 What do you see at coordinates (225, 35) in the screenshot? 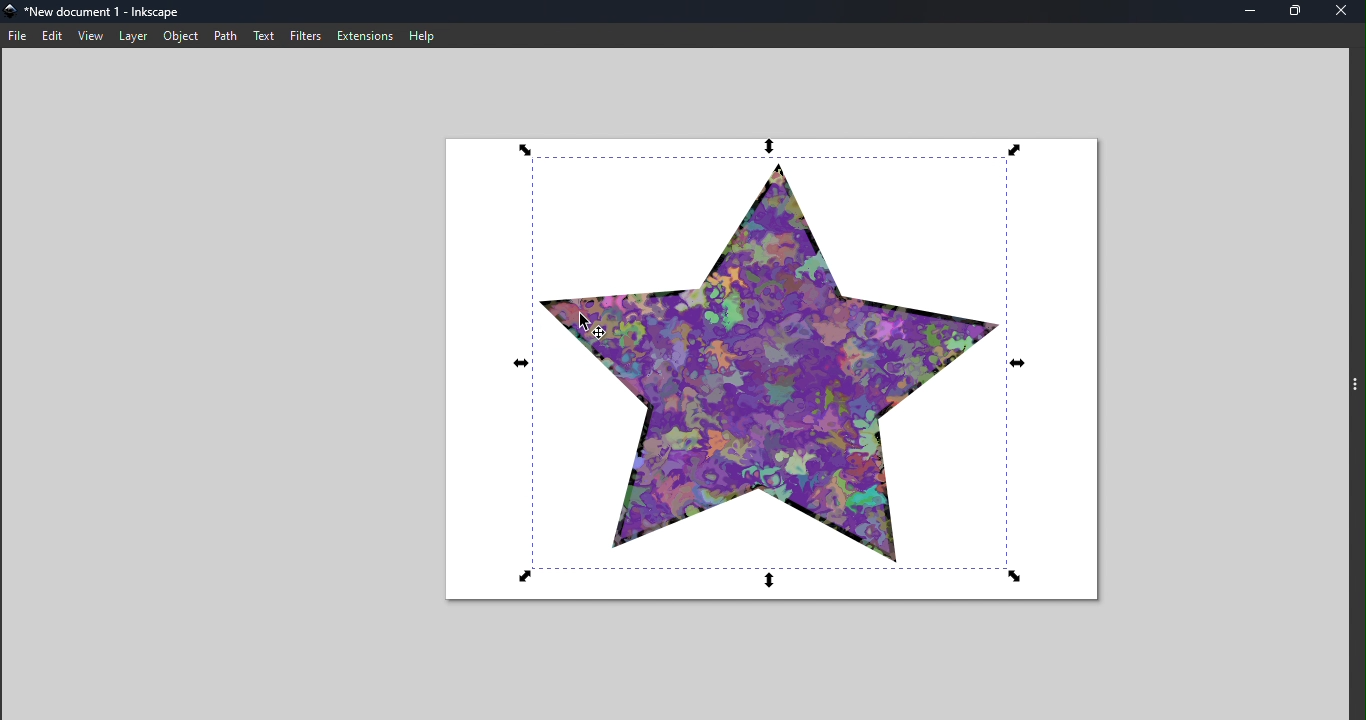
I see `Path` at bounding box center [225, 35].